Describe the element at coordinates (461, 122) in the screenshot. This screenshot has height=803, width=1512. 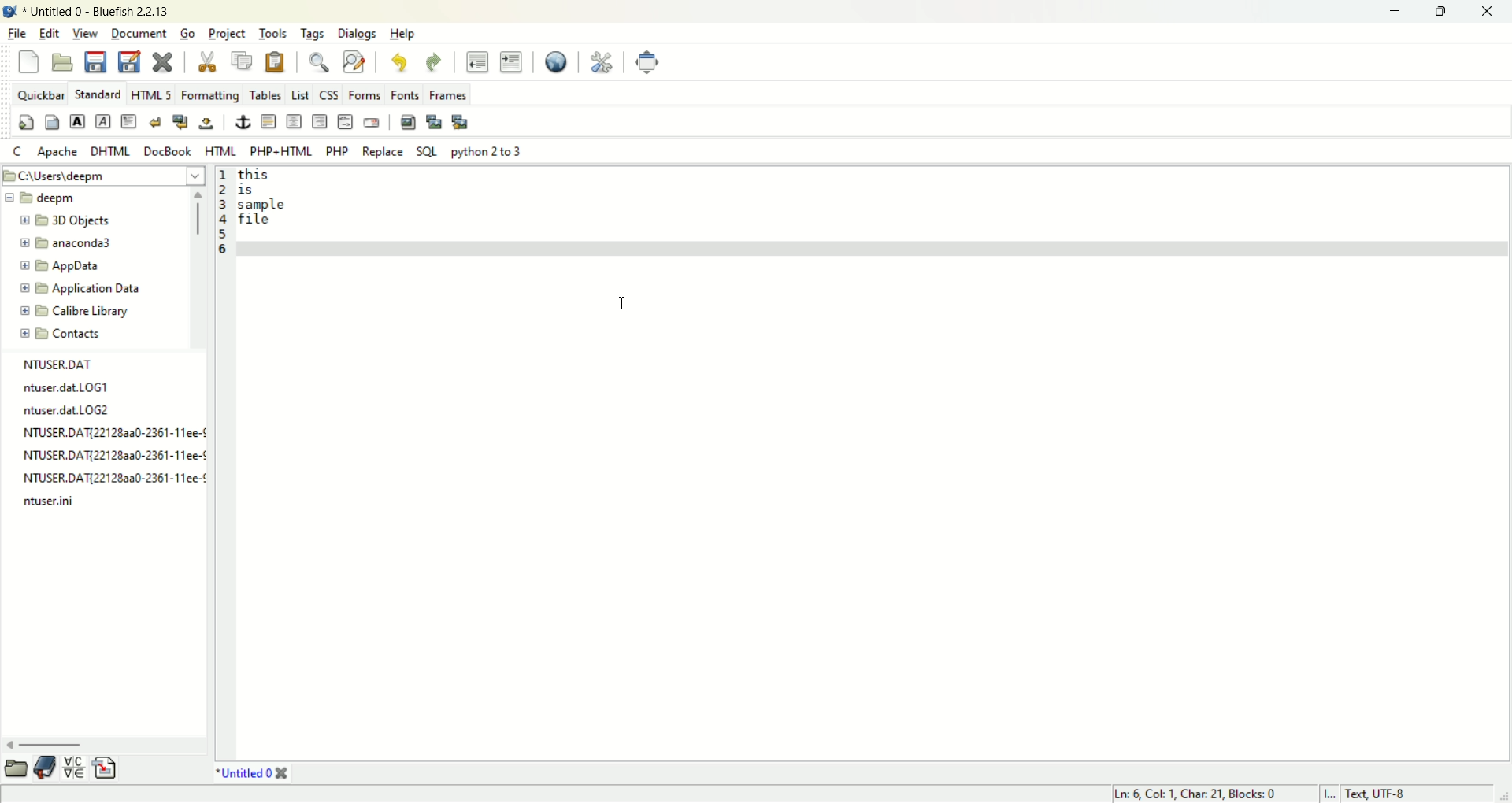
I see `multi thumbnail` at that location.